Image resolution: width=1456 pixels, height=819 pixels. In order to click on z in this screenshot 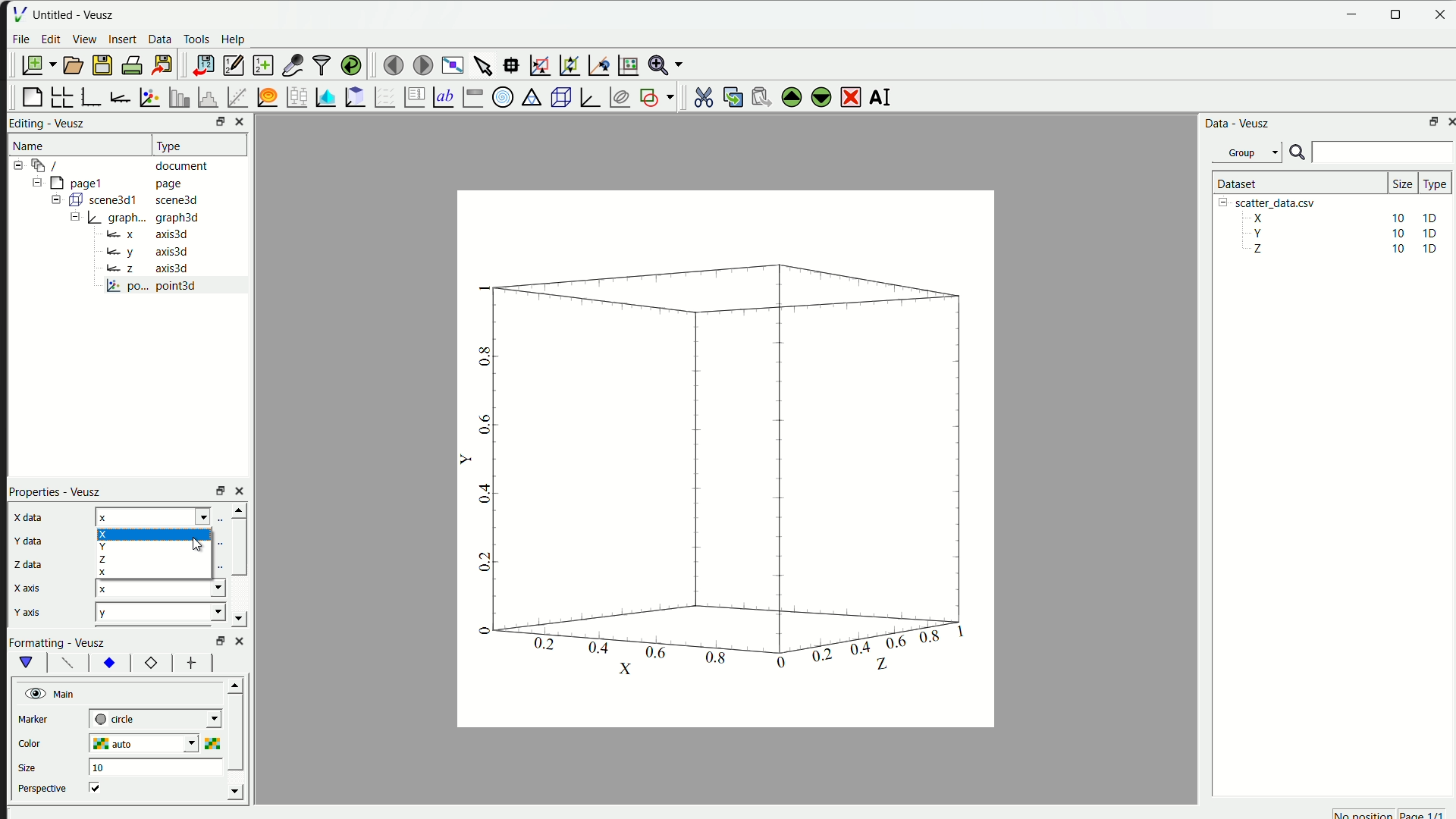, I will do `click(170, 515)`.